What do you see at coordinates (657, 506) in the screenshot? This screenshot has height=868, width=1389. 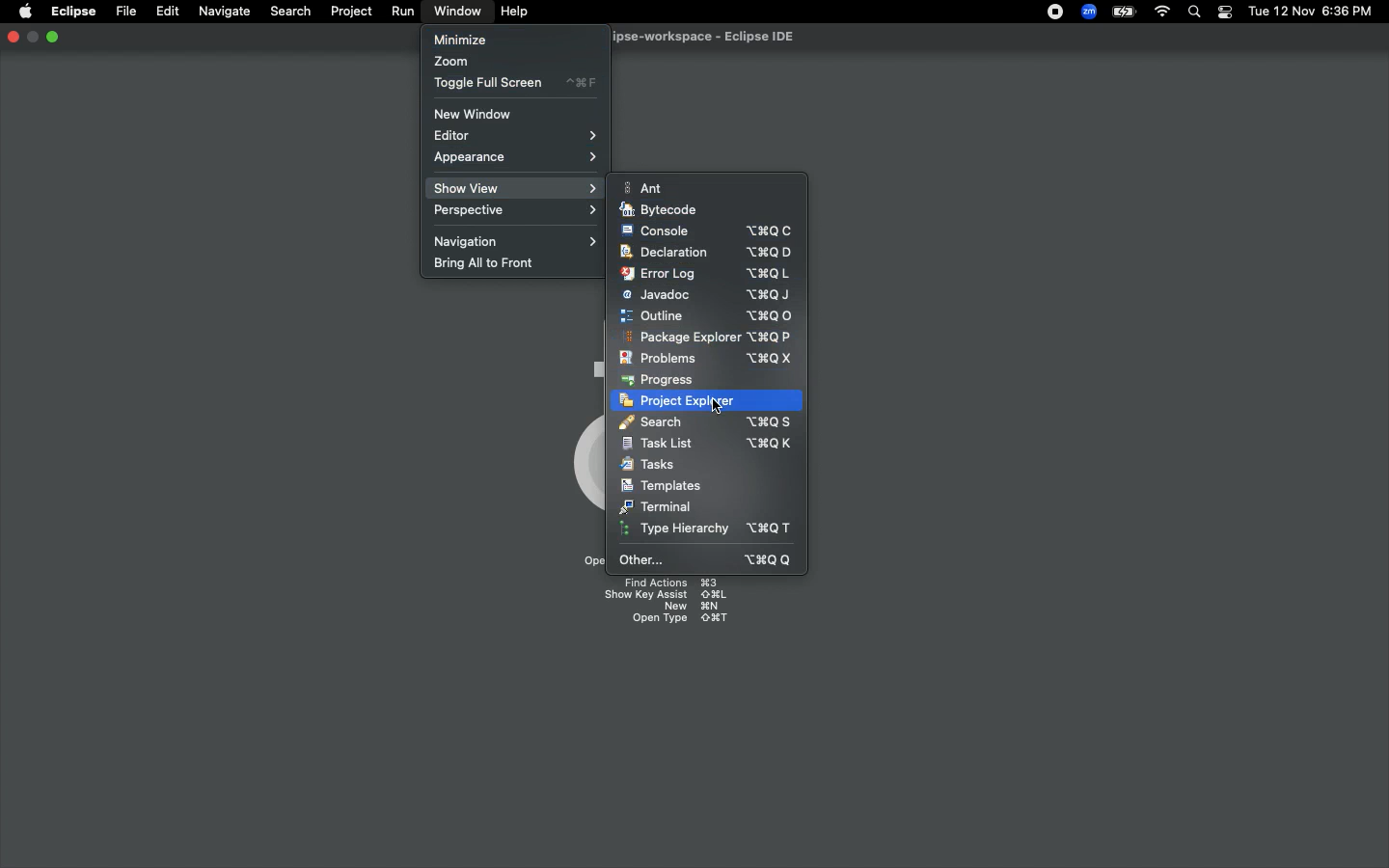 I see `Terminal` at bounding box center [657, 506].